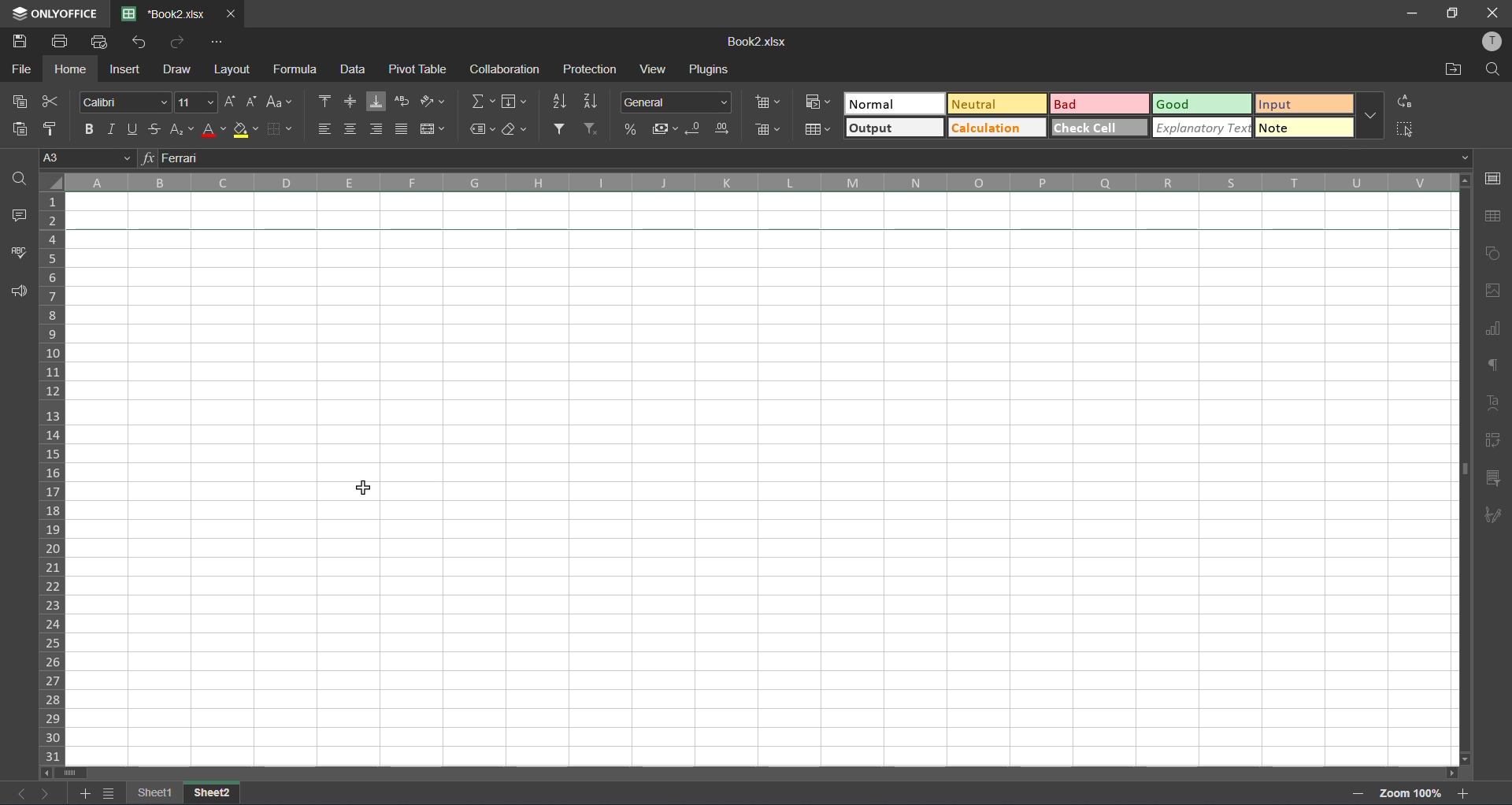 The image size is (1512, 805). I want to click on previous, so click(17, 793).